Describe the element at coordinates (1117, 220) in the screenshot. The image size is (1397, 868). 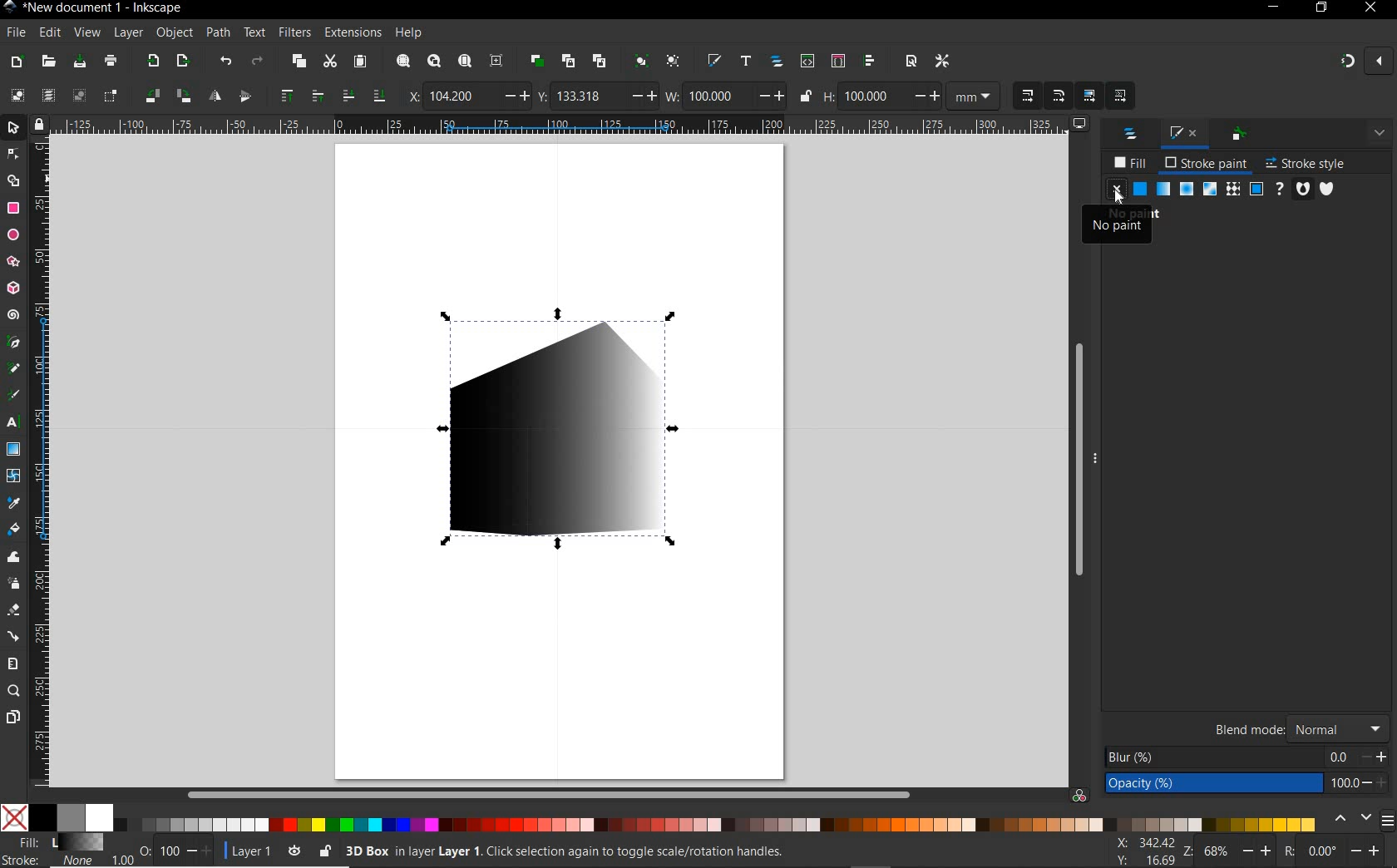
I see `NO PAINT` at that location.